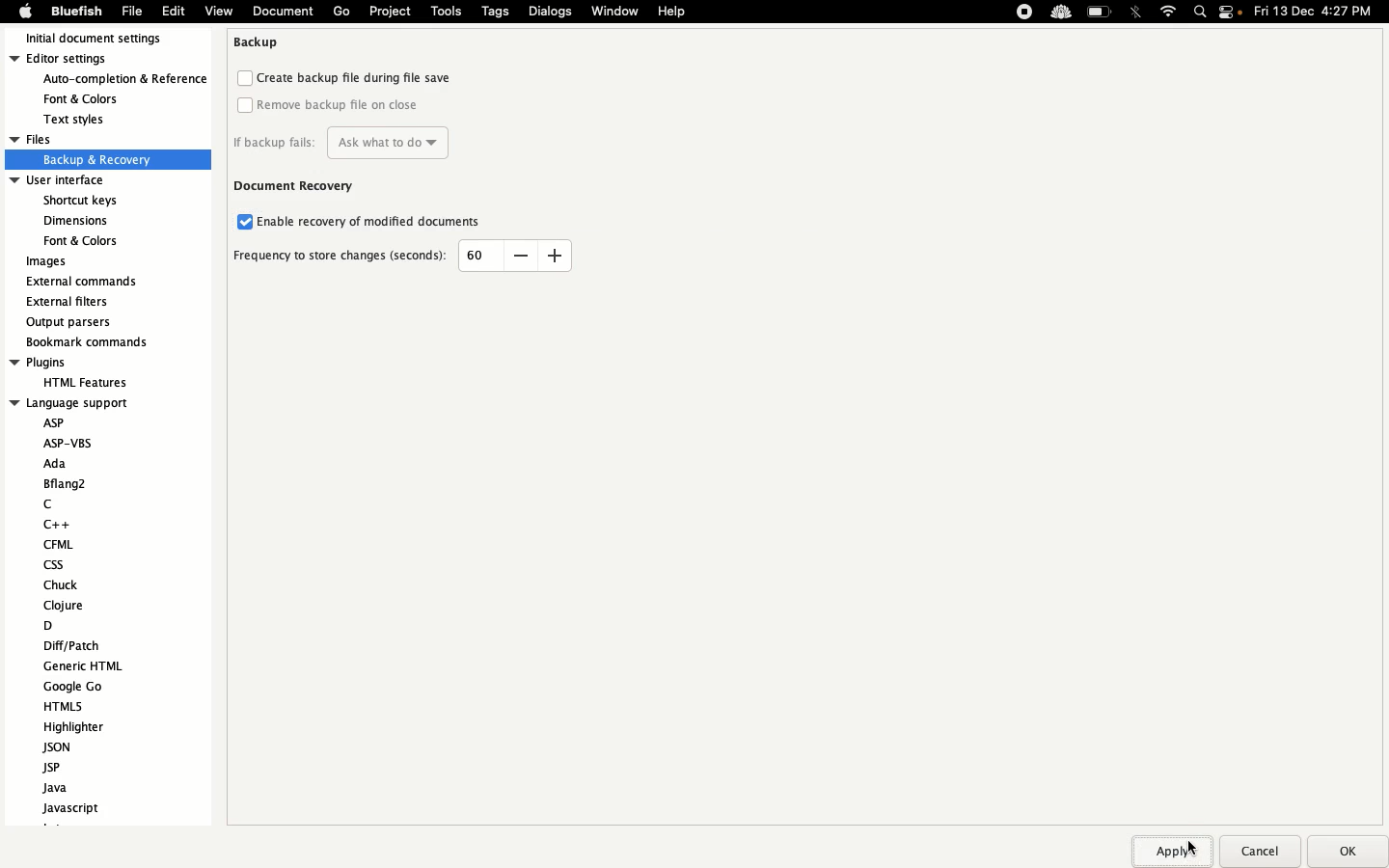 Image resolution: width=1389 pixels, height=868 pixels. What do you see at coordinates (380, 222) in the screenshot?
I see `Enable recovery of modified documents` at bounding box center [380, 222].